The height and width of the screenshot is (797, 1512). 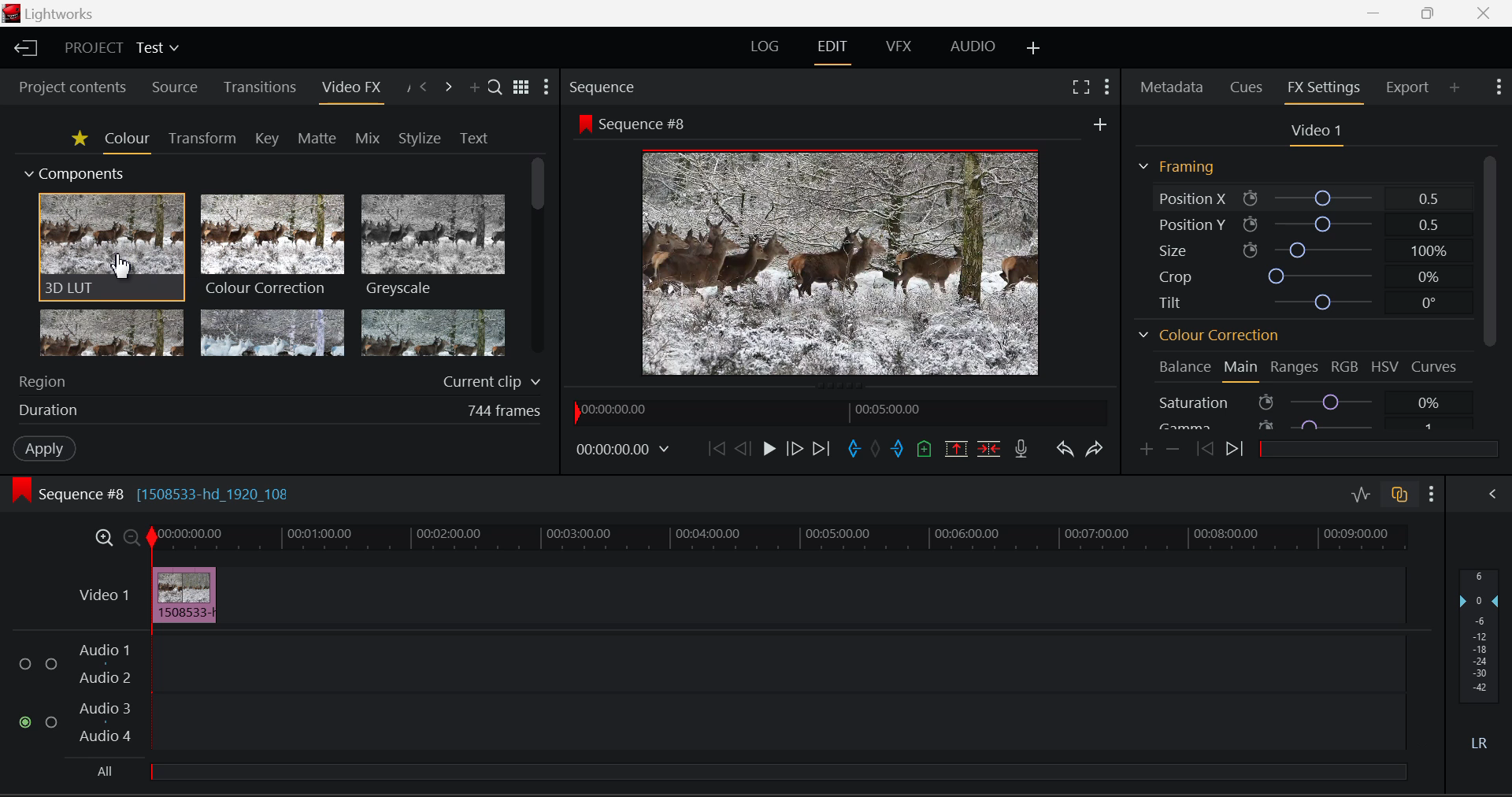 I want to click on Sequence #8, so click(x=633, y=123).